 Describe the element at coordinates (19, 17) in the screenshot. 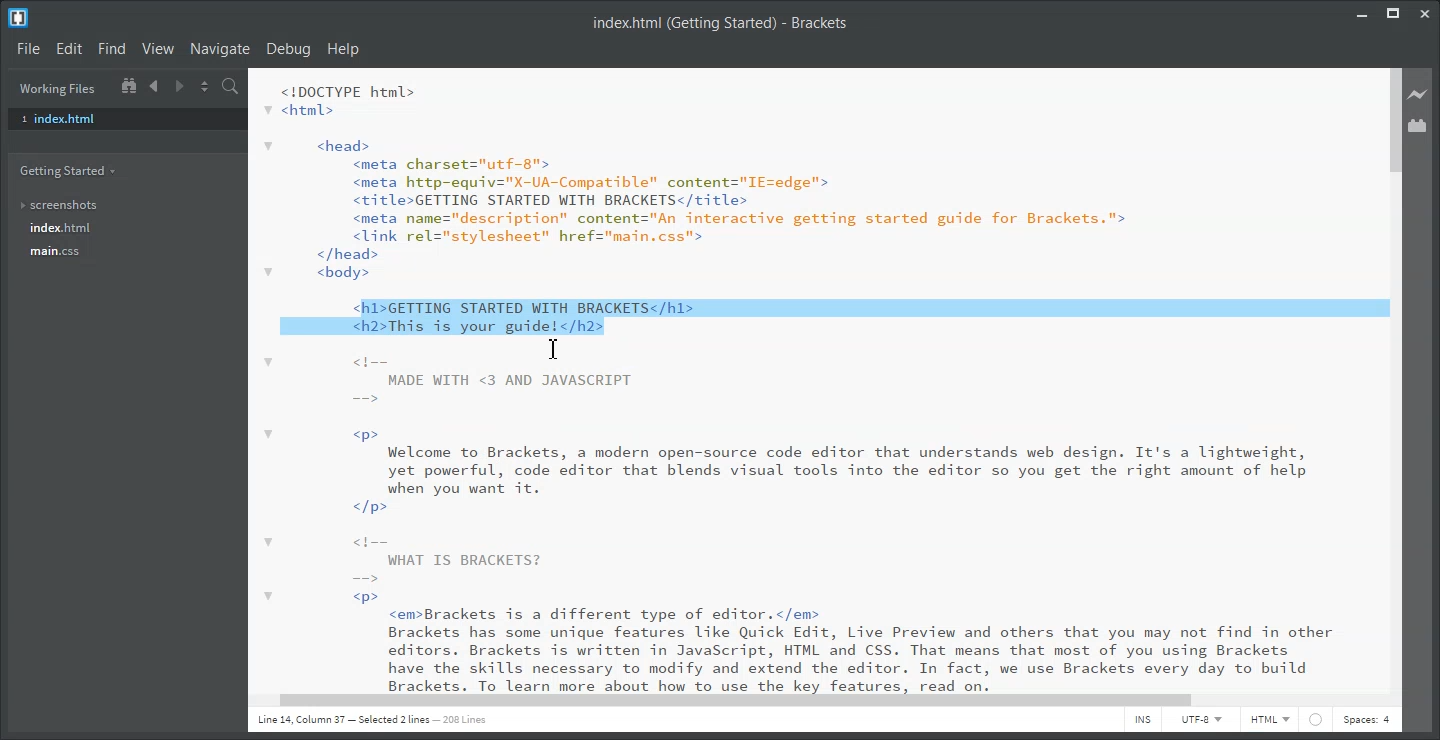

I see `Logo` at that location.